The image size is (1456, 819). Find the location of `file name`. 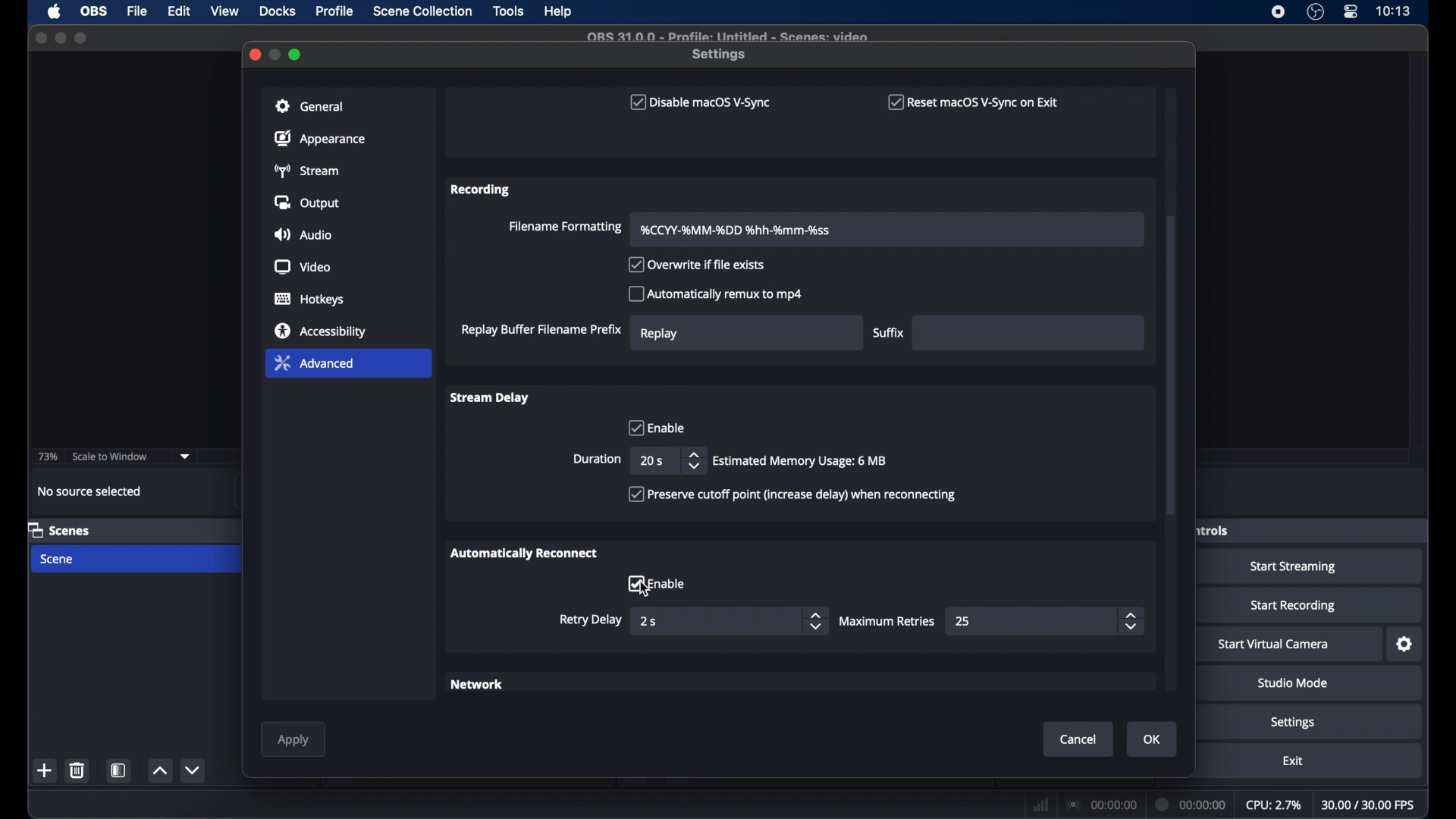

file name is located at coordinates (726, 35).